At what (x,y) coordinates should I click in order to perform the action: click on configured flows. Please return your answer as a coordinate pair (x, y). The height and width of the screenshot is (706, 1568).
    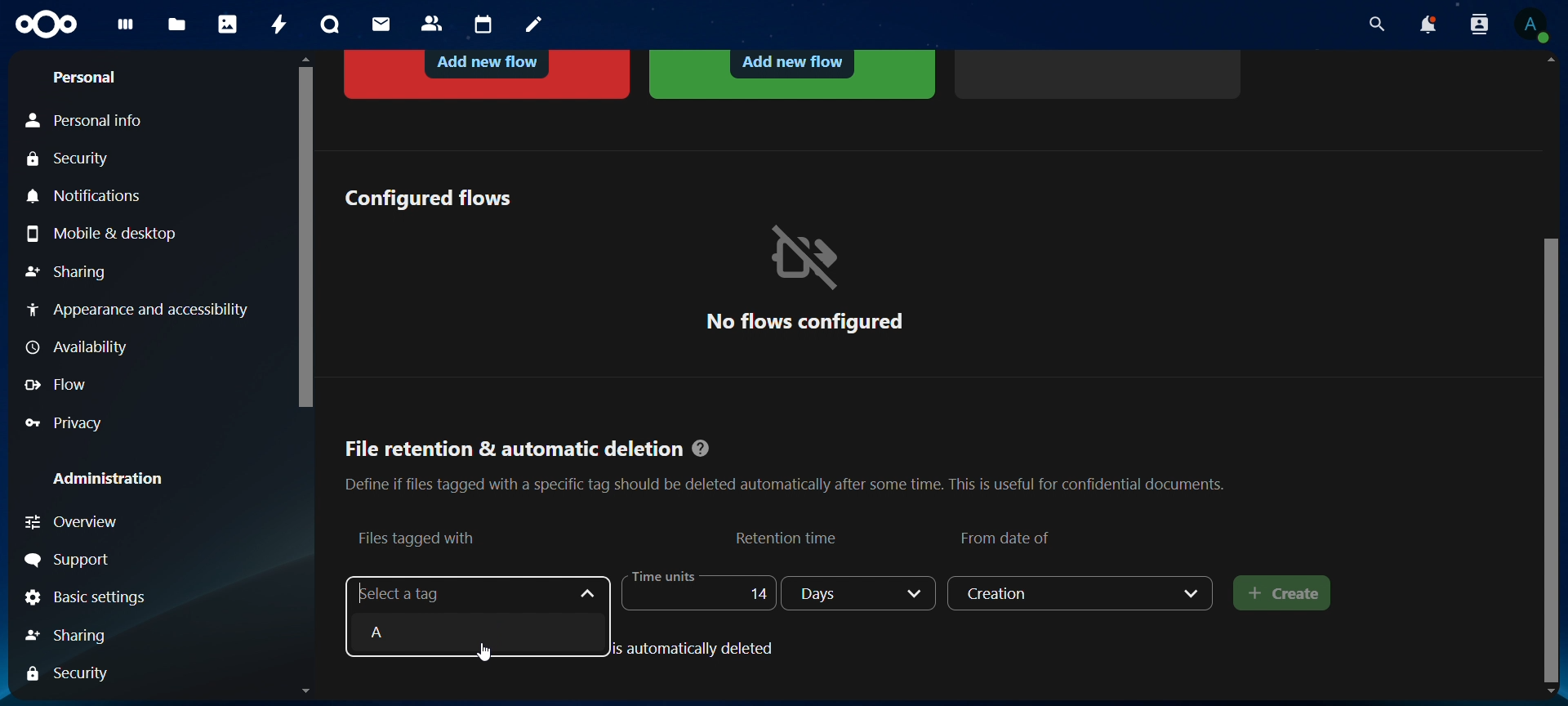
    Looking at the image, I should click on (427, 197).